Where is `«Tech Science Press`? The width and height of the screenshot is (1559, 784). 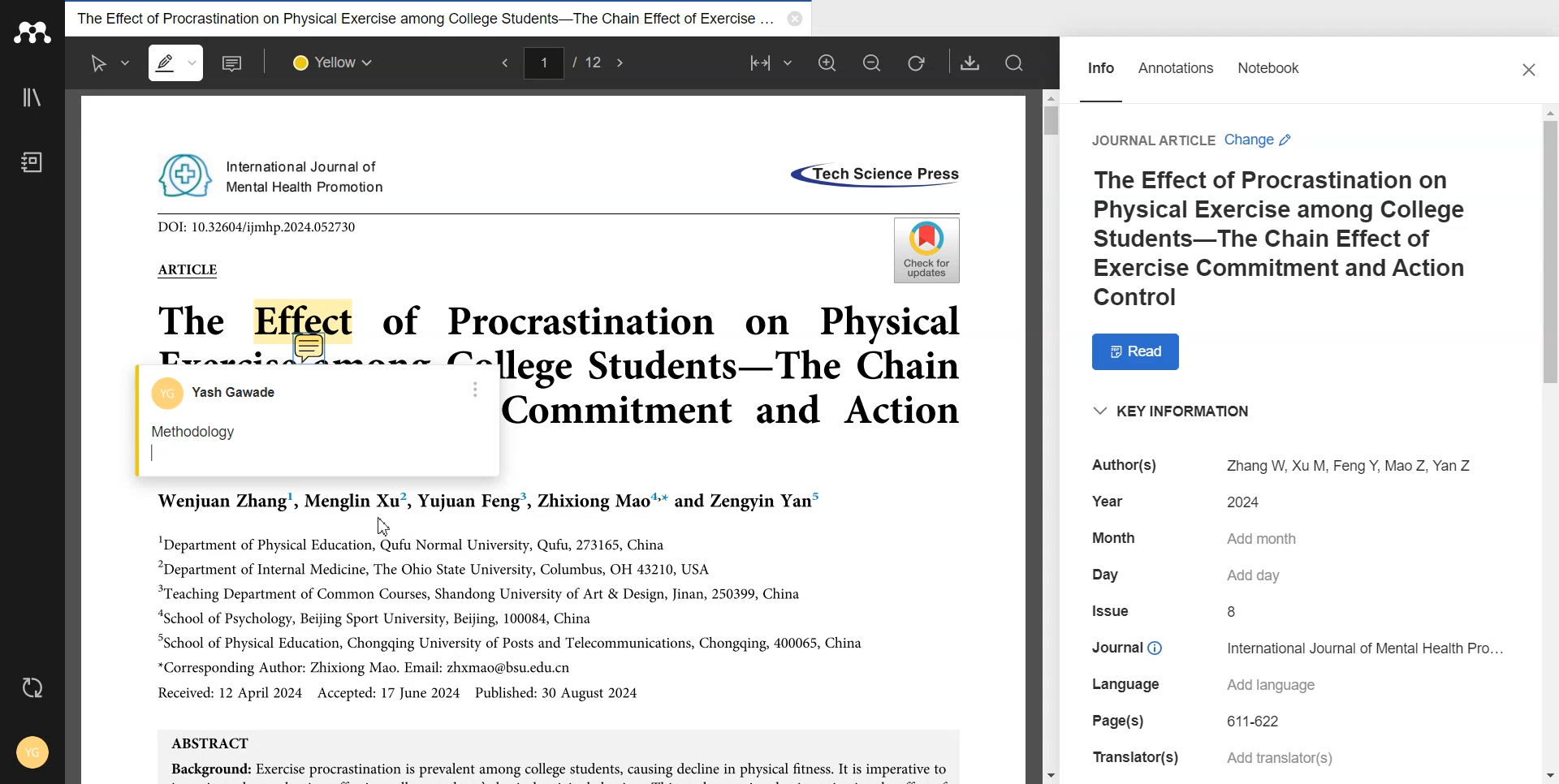 «Tech Science Press is located at coordinates (873, 176).